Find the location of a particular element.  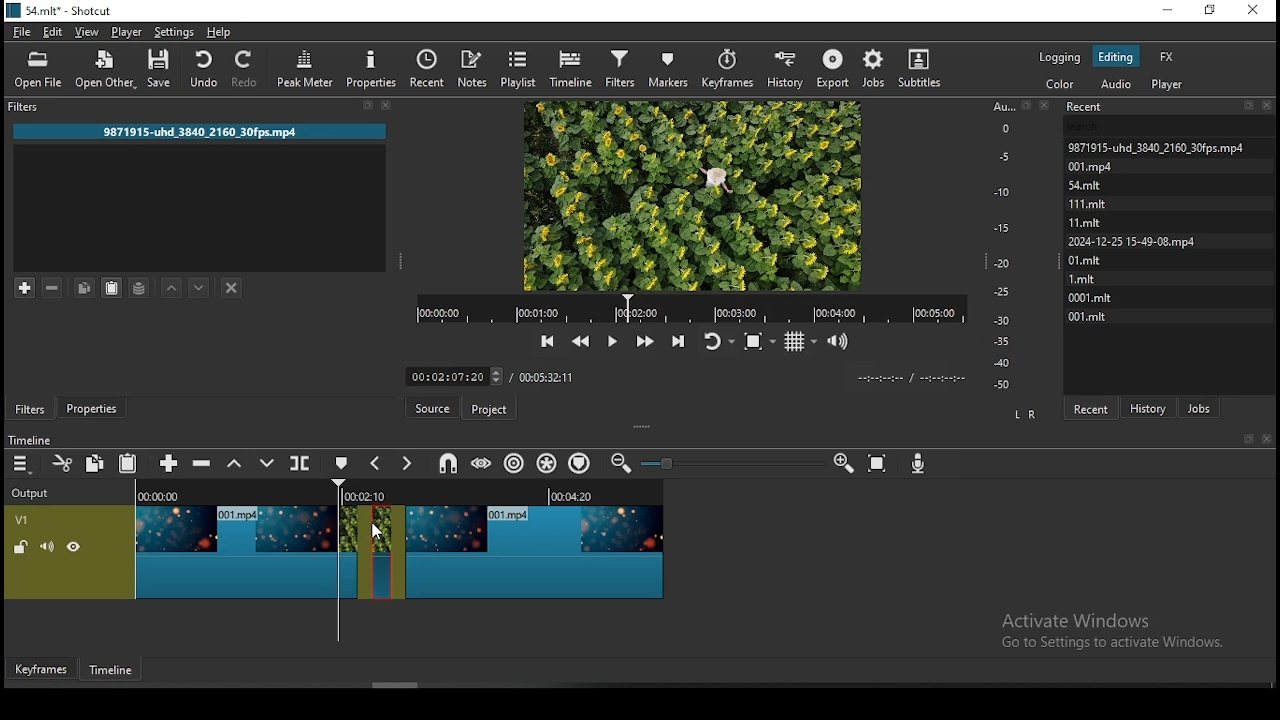

settings is located at coordinates (173, 33).